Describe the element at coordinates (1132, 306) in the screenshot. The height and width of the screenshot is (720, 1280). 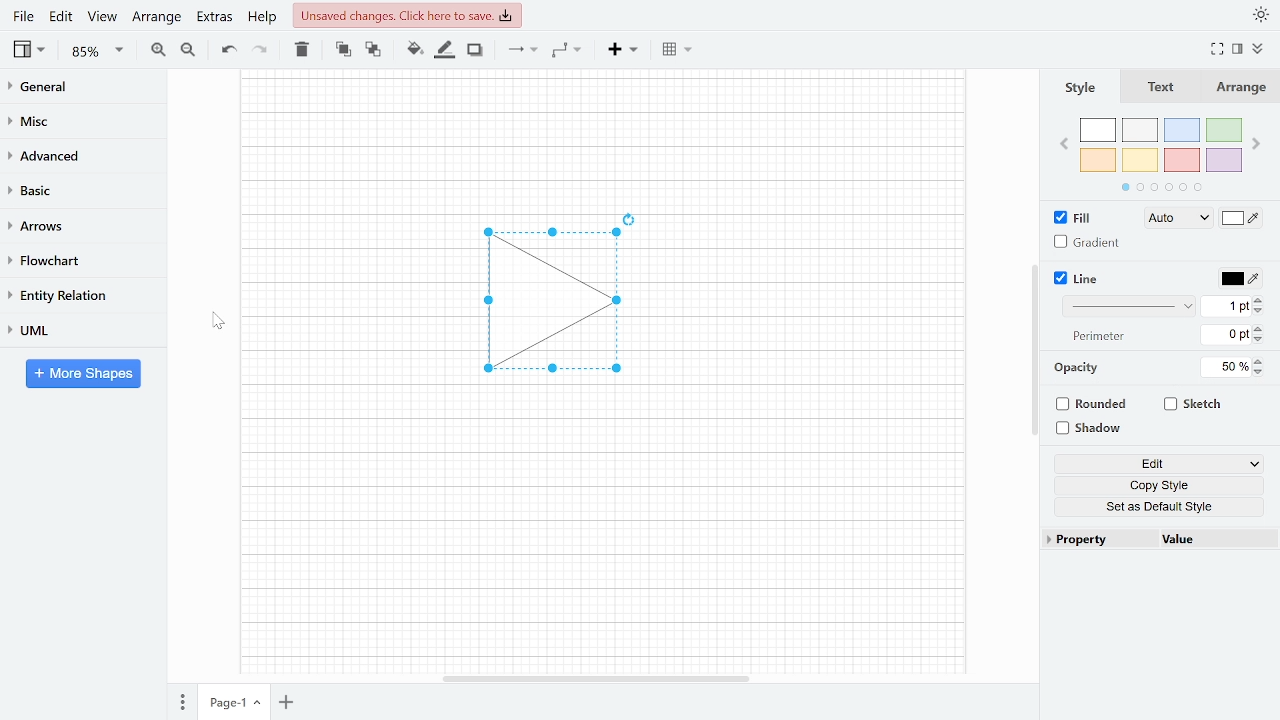
I see `Line style` at that location.